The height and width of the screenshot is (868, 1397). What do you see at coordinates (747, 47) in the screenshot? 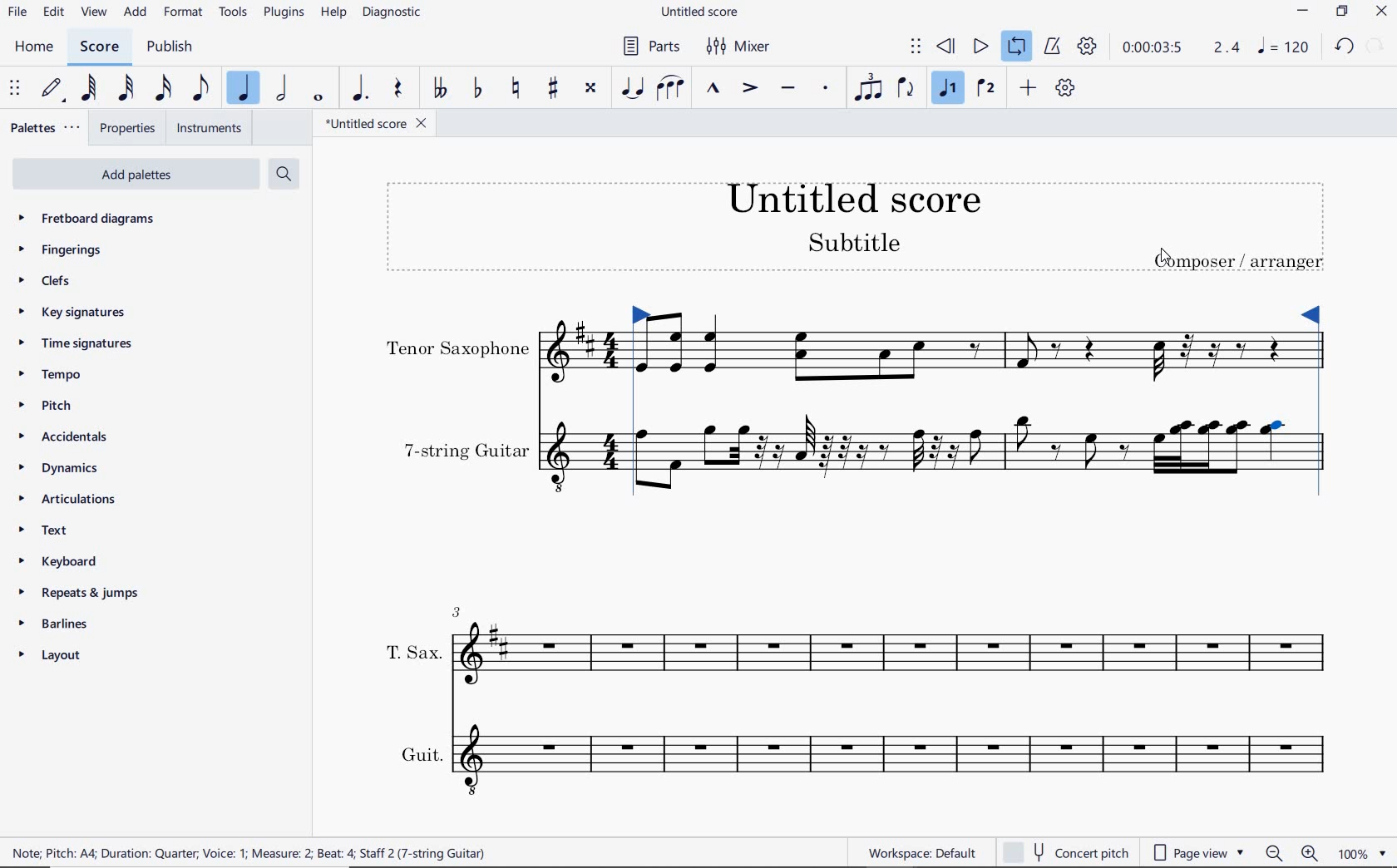
I see `MIXER` at bounding box center [747, 47].